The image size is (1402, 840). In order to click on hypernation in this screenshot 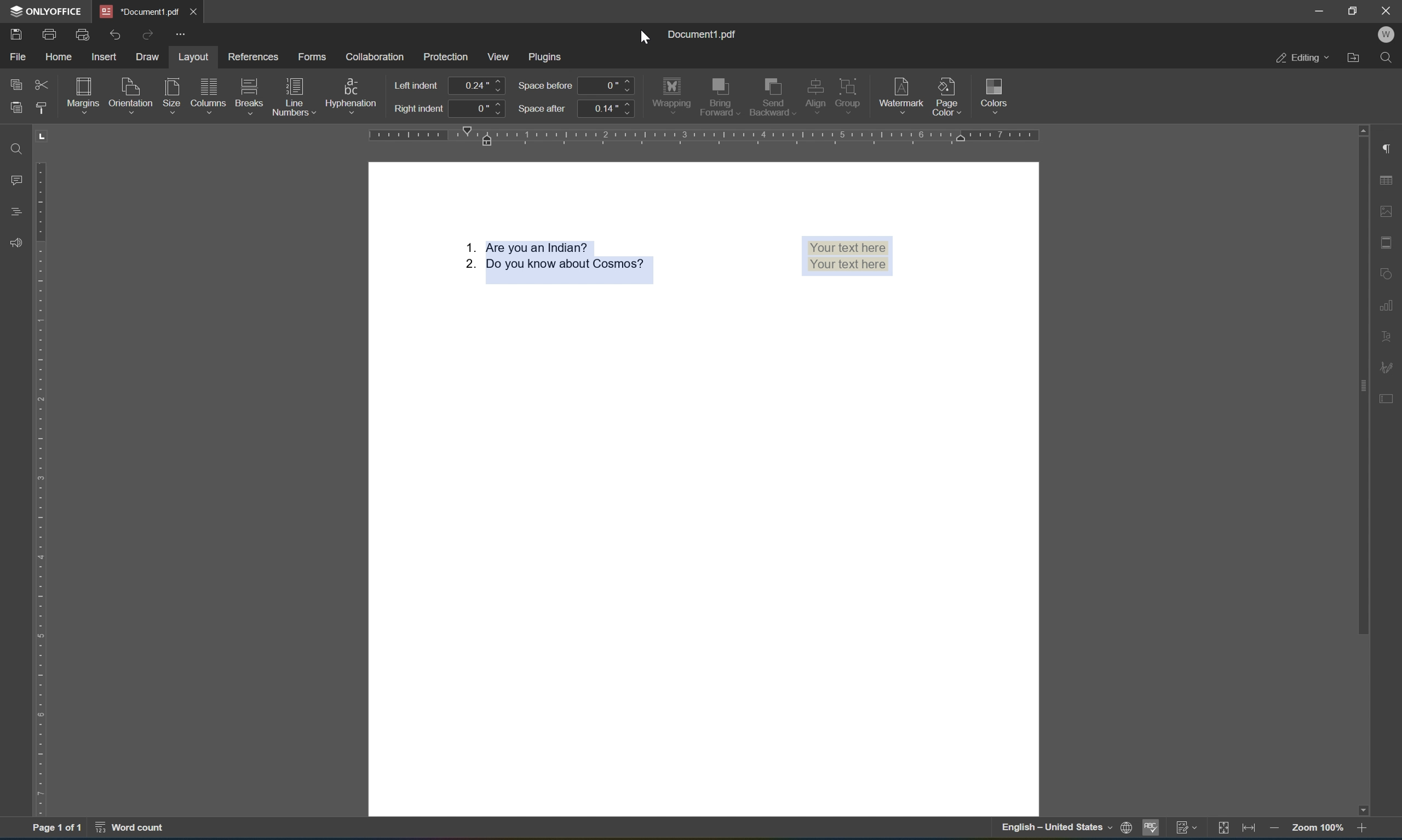, I will do `click(350, 95)`.